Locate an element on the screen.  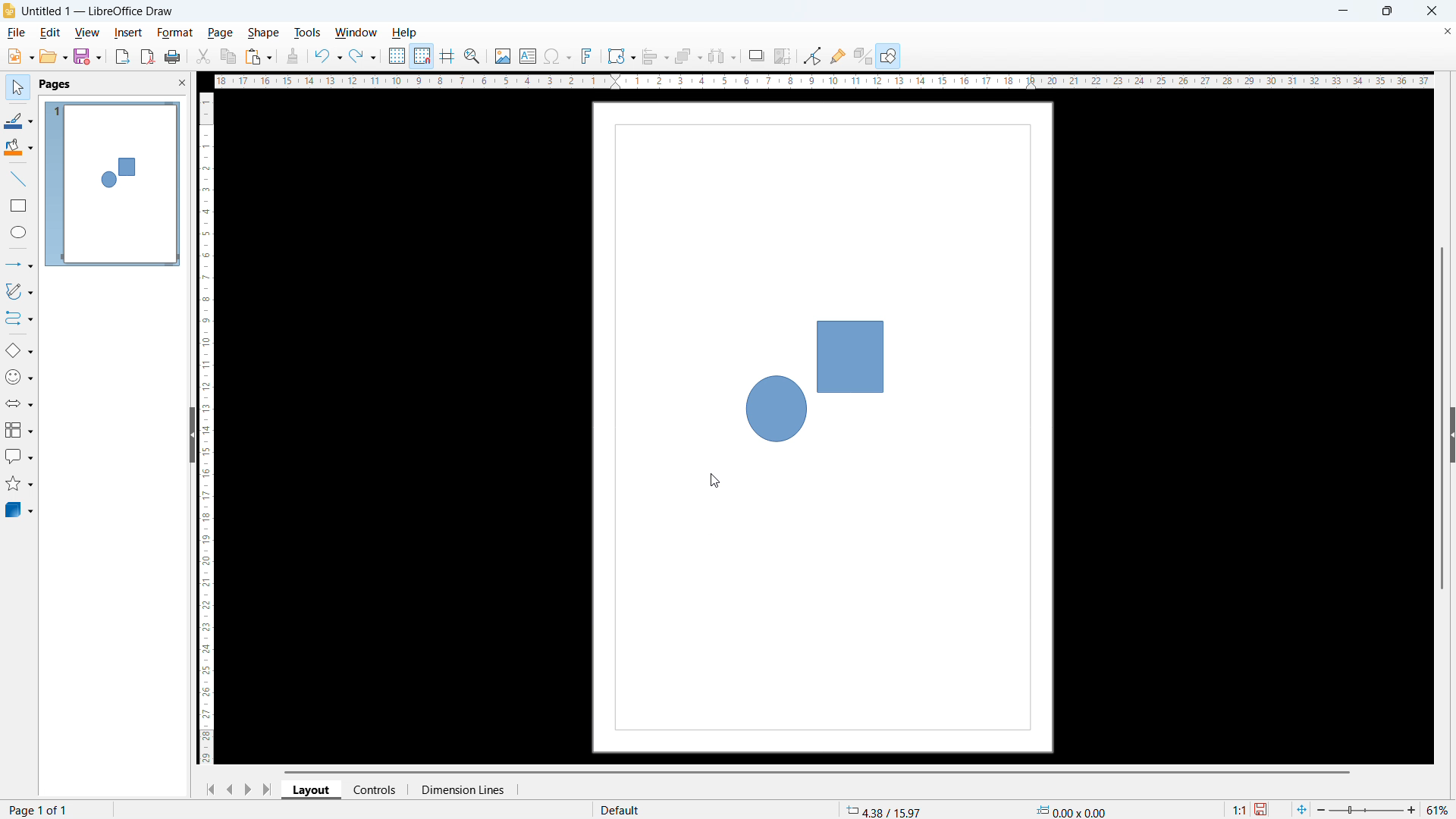
close document is located at coordinates (1447, 30).